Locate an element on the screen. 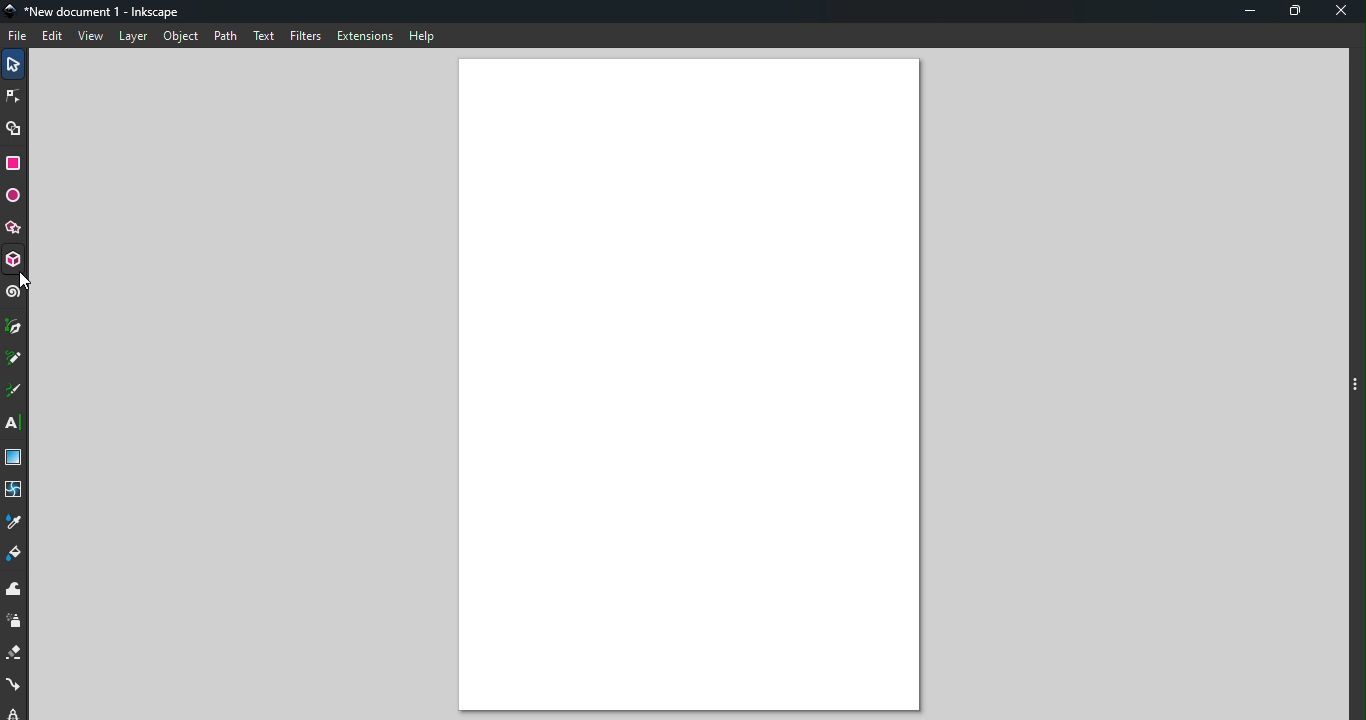  Path is located at coordinates (226, 36).